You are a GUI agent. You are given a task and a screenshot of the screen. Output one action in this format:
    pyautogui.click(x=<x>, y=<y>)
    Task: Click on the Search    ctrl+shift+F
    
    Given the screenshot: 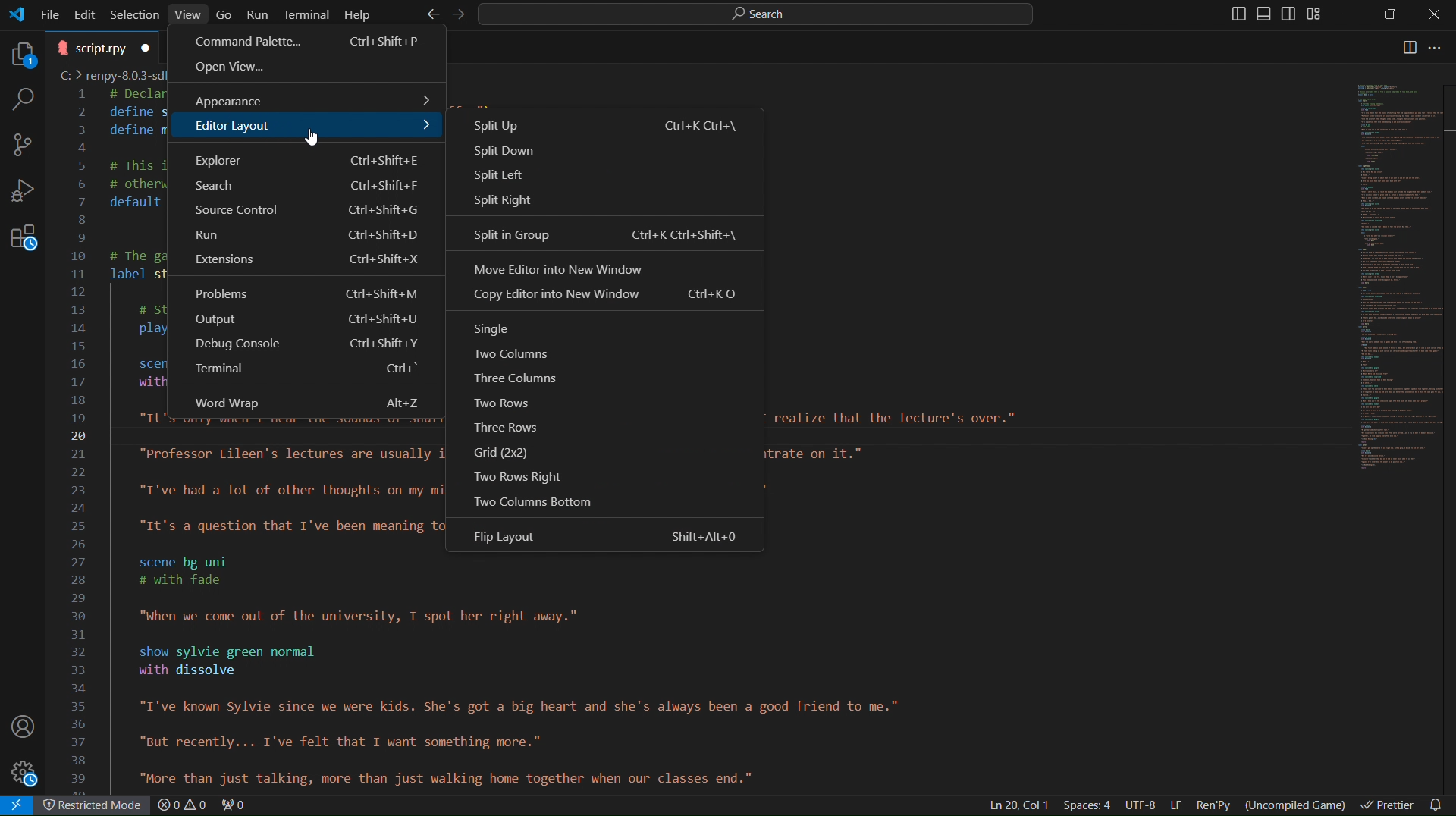 What is the action you would take?
    pyautogui.click(x=303, y=187)
    